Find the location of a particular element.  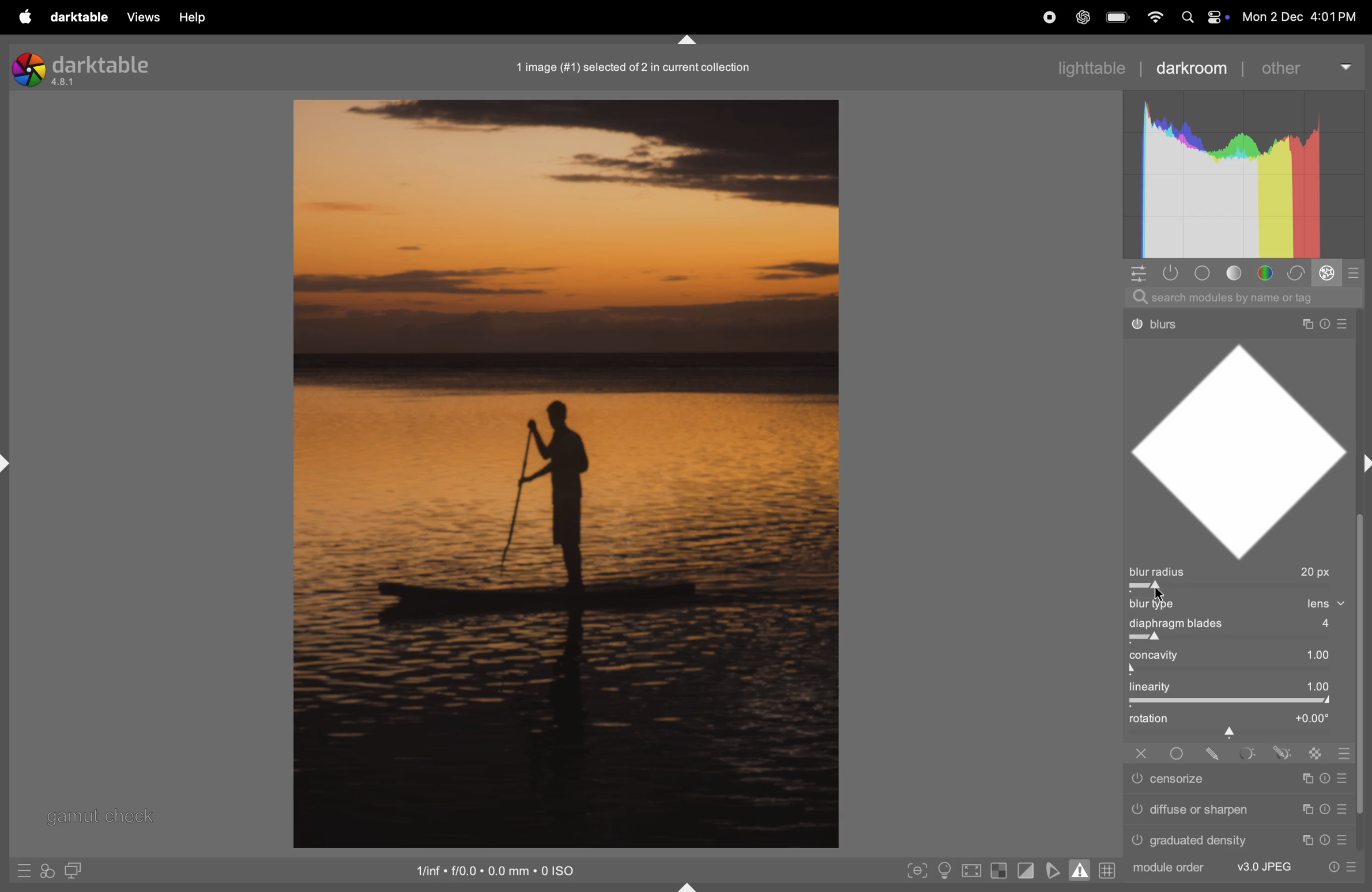

 is located at coordinates (1237, 810).